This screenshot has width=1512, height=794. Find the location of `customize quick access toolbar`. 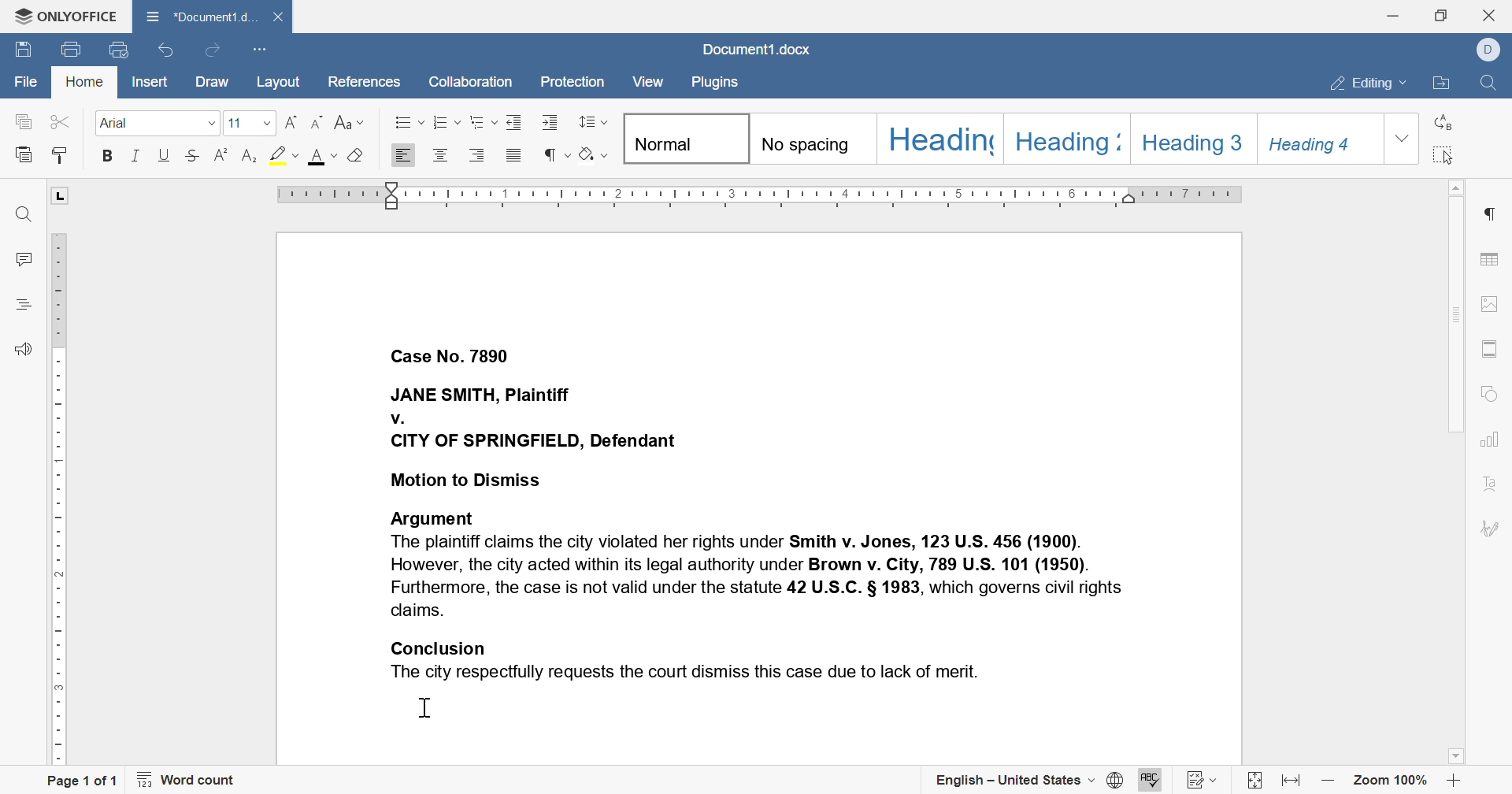

customize quick access toolbar is located at coordinates (259, 50).